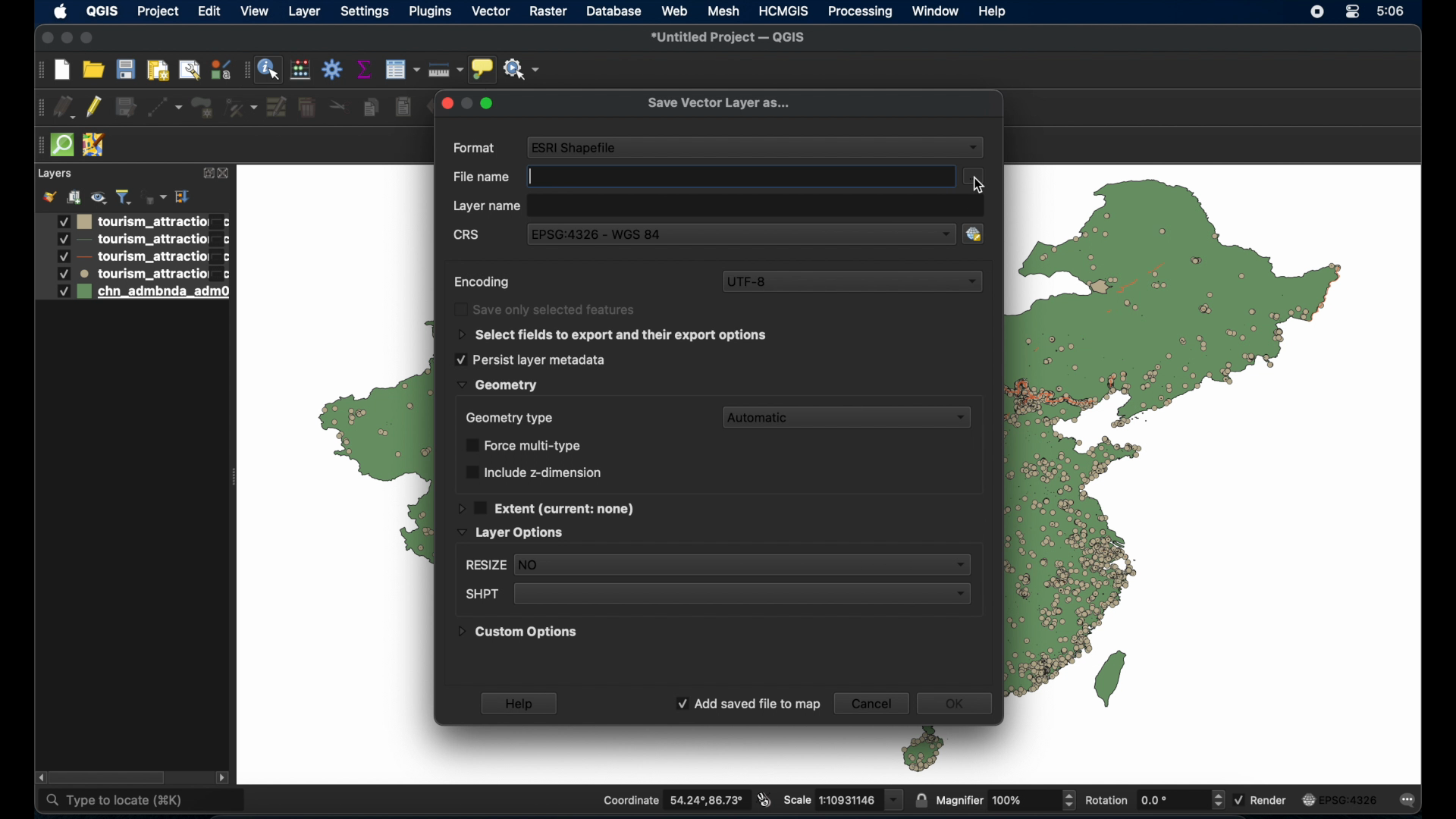 Image resolution: width=1456 pixels, height=819 pixels. What do you see at coordinates (1319, 11) in the screenshot?
I see `screen recorder` at bounding box center [1319, 11].